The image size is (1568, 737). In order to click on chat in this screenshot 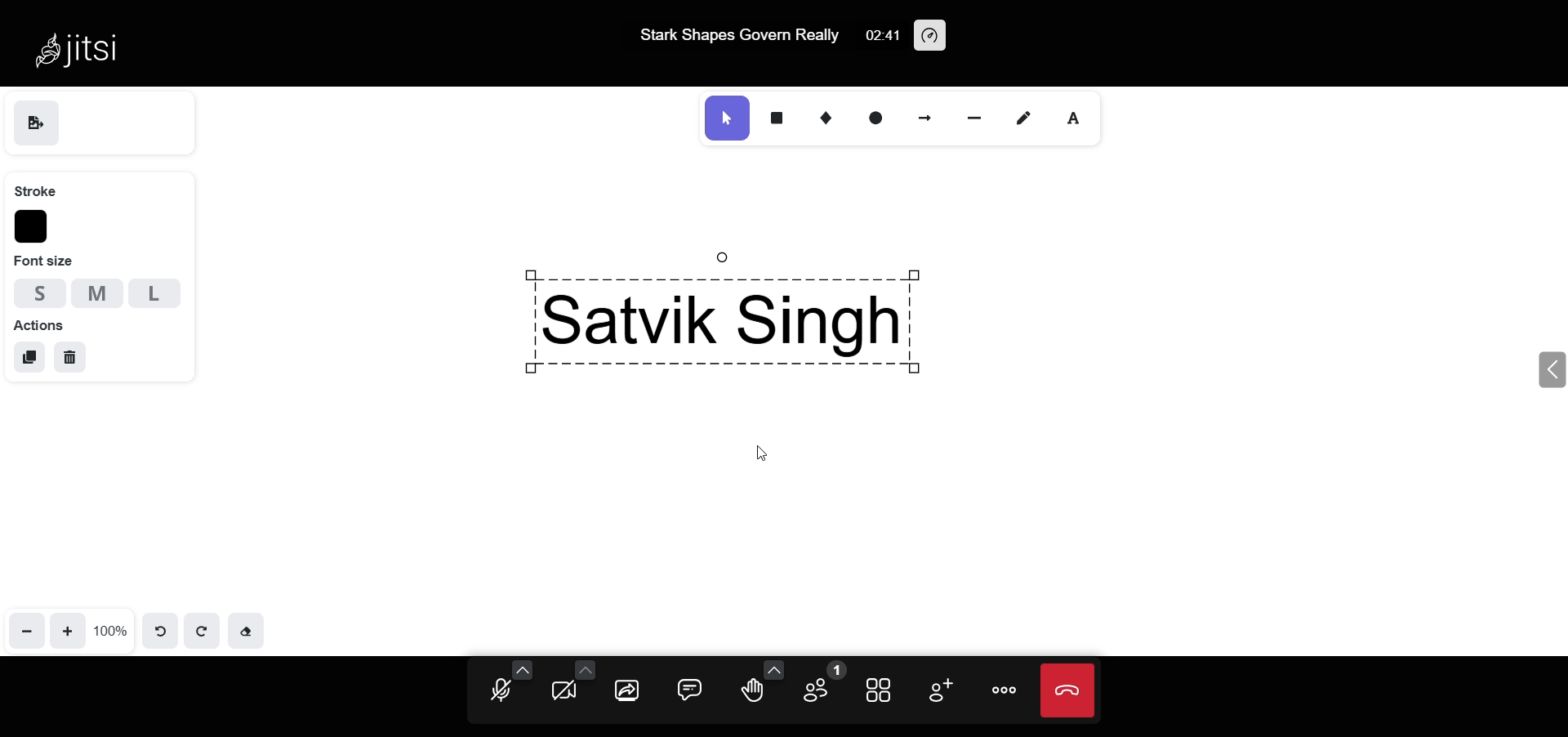, I will do `click(693, 689)`.